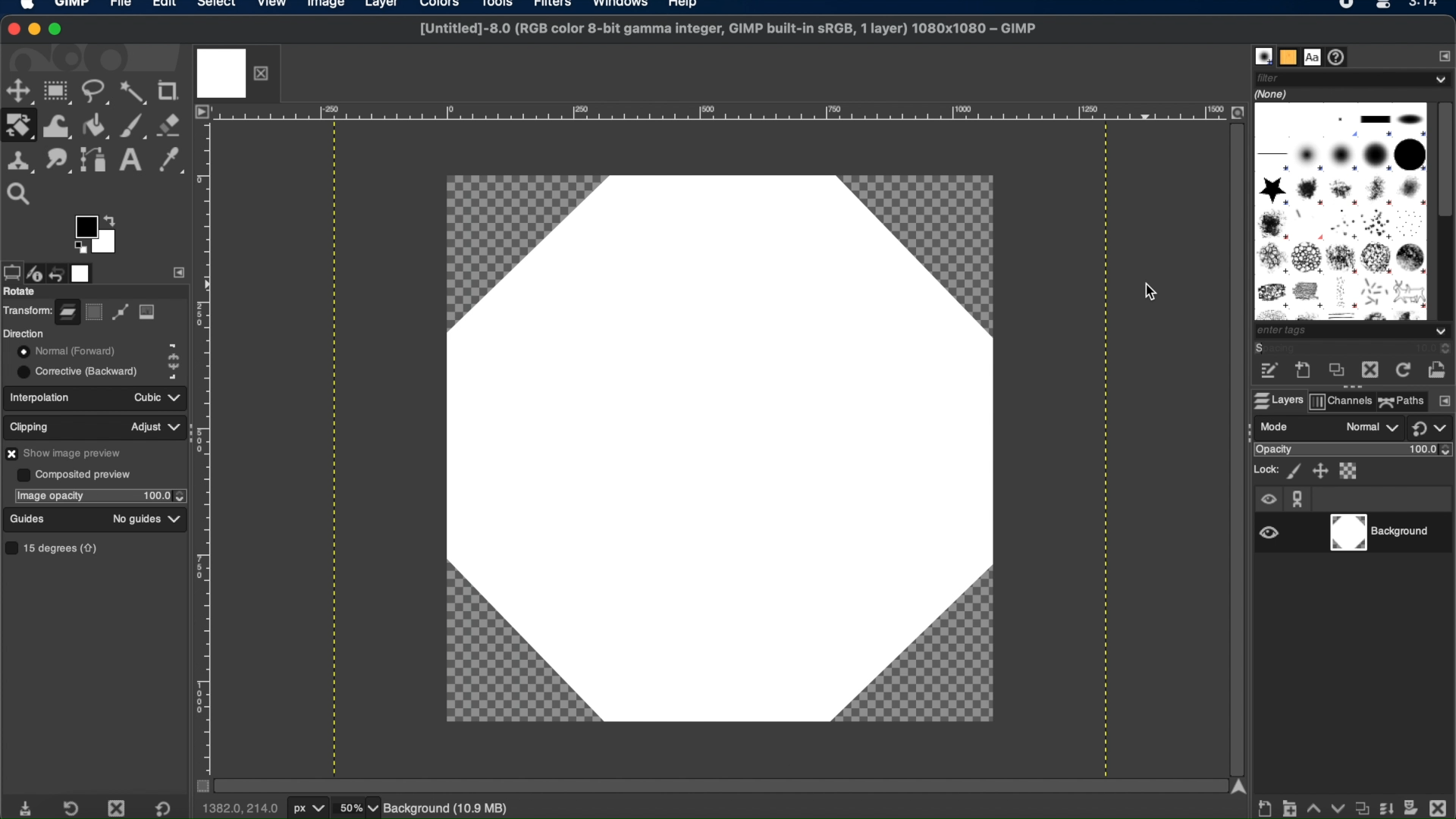 The image size is (1456, 819). What do you see at coordinates (1266, 809) in the screenshot?
I see `create new layer` at bounding box center [1266, 809].